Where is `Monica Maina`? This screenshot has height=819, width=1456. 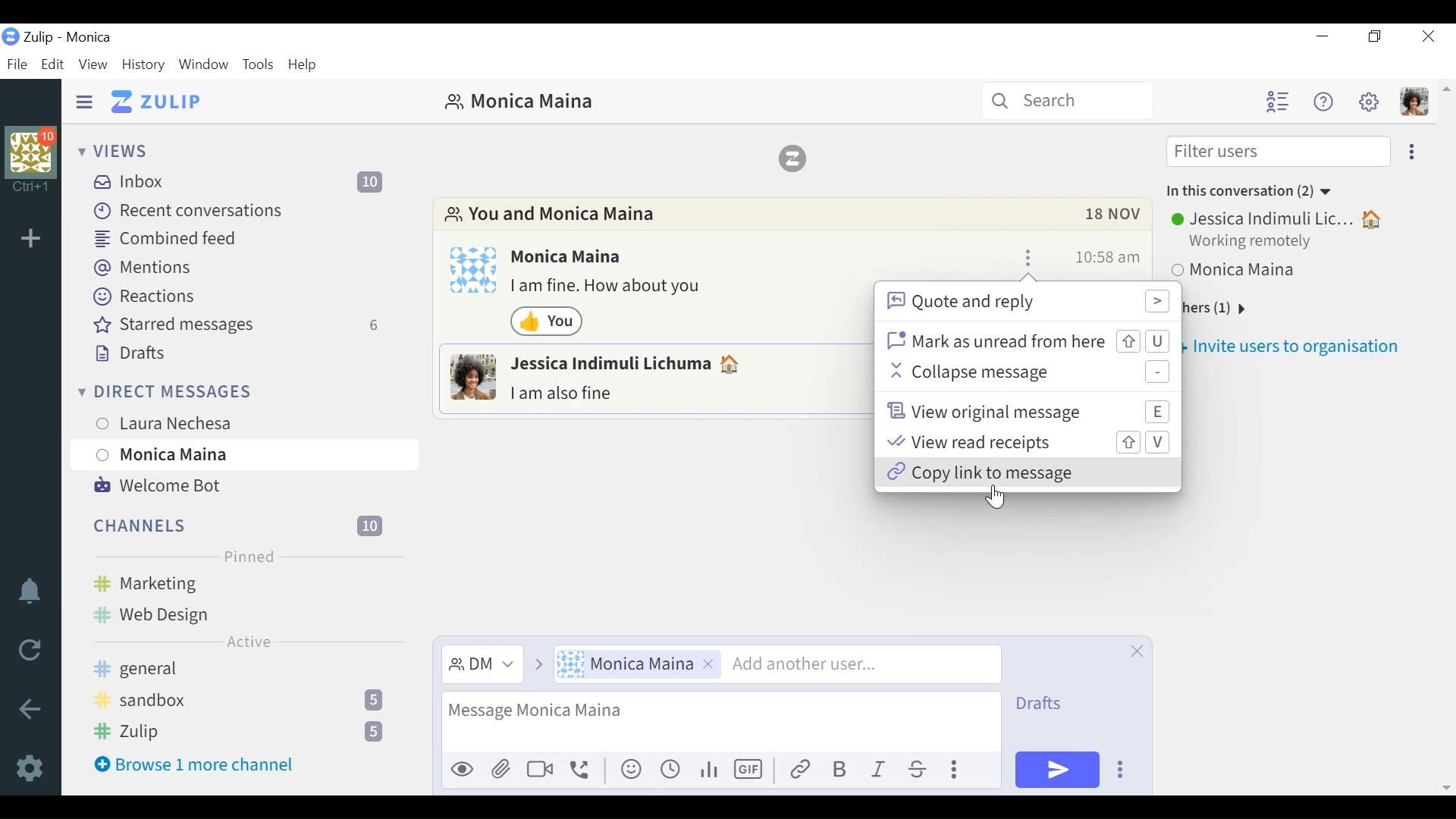 Monica Maina is located at coordinates (518, 101).